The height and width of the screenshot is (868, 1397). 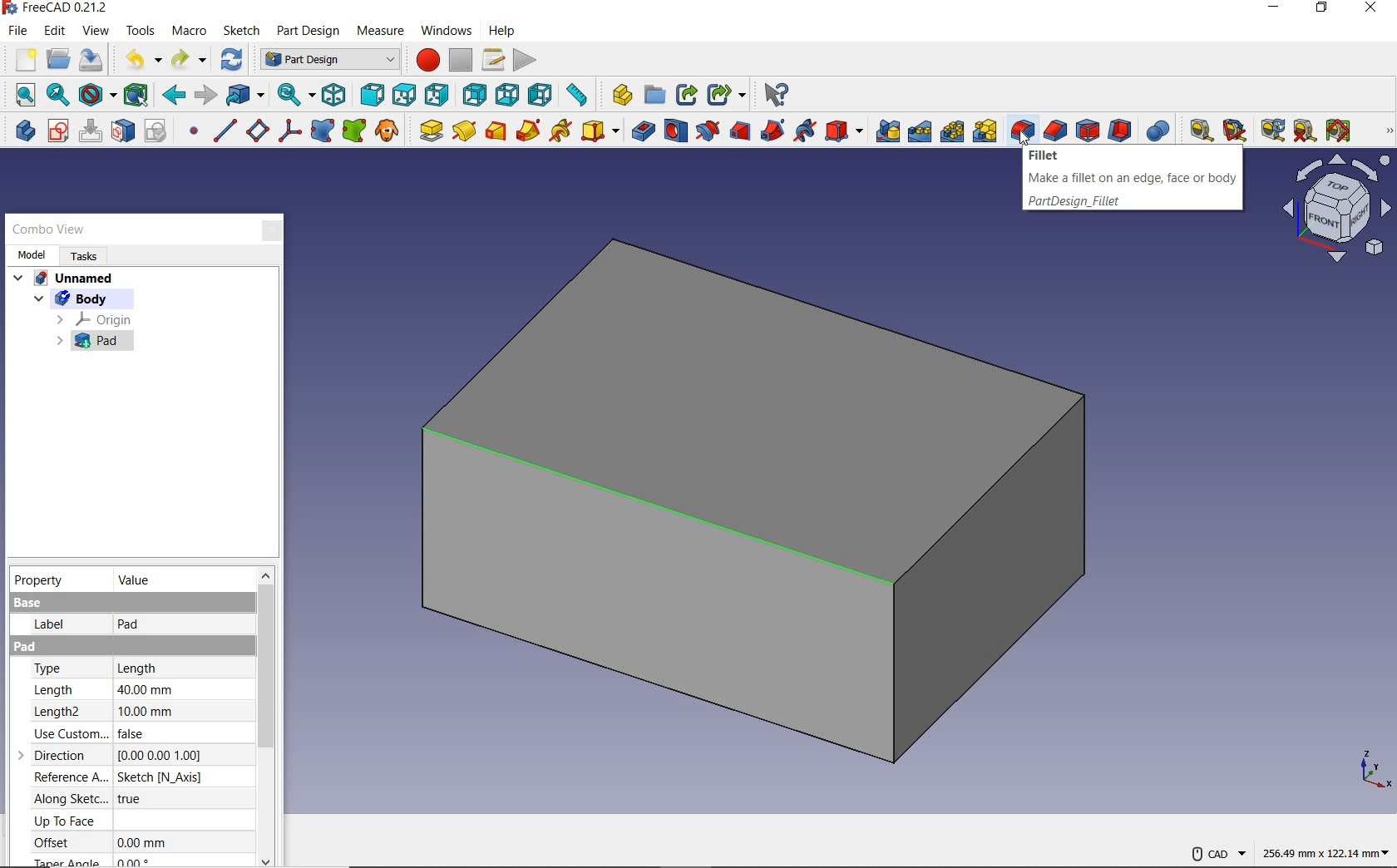 What do you see at coordinates (130, 627) in the screenshot?
I see `pad` at bounding box center [130, 627].